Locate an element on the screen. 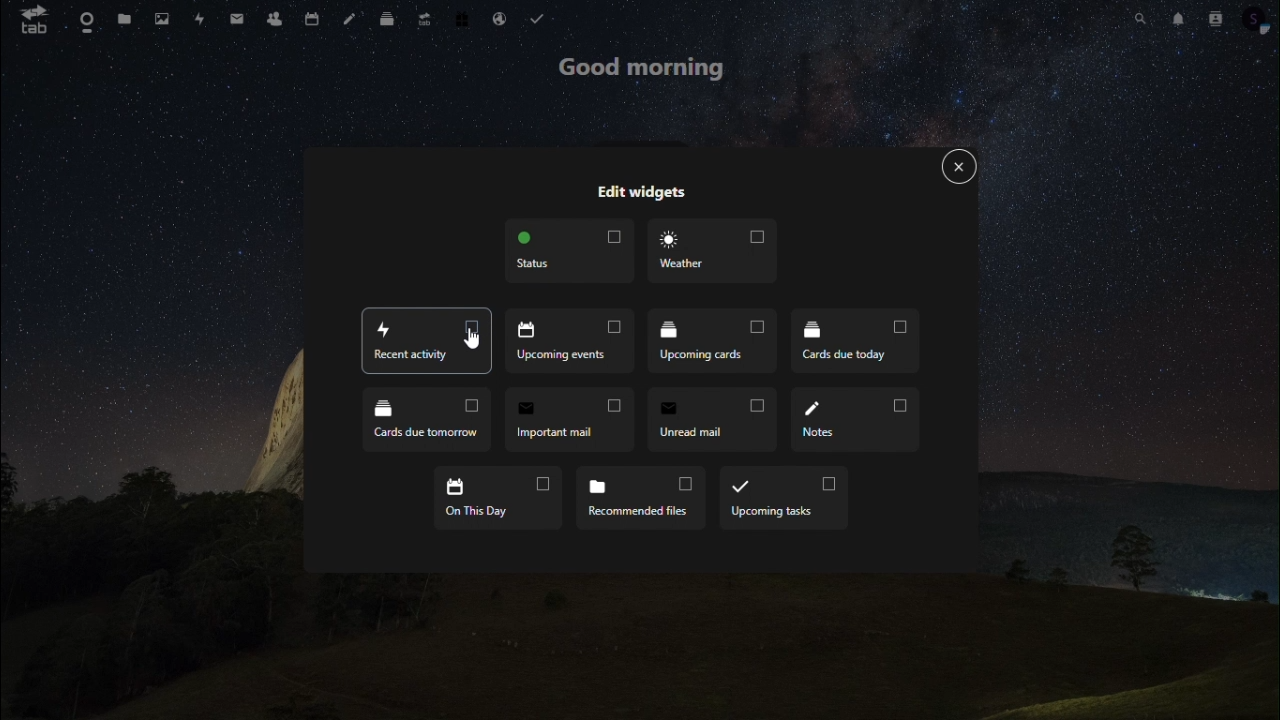 This screenshot has width=1280, height=720. files is located at coordinates (124, 20).